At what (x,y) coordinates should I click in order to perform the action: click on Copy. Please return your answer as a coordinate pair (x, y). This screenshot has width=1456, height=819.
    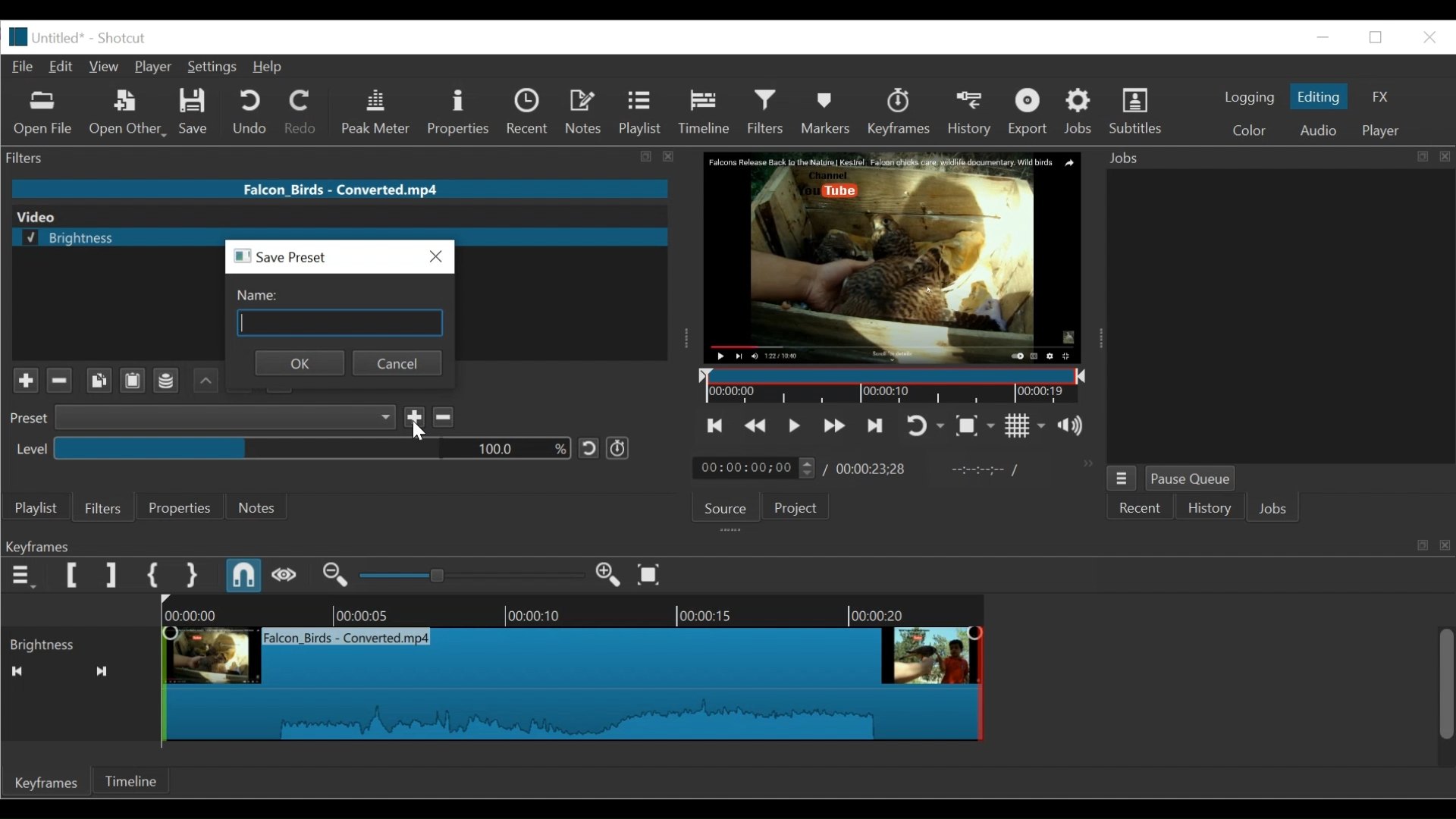
    Looking at the image, I should click on (97, 381).